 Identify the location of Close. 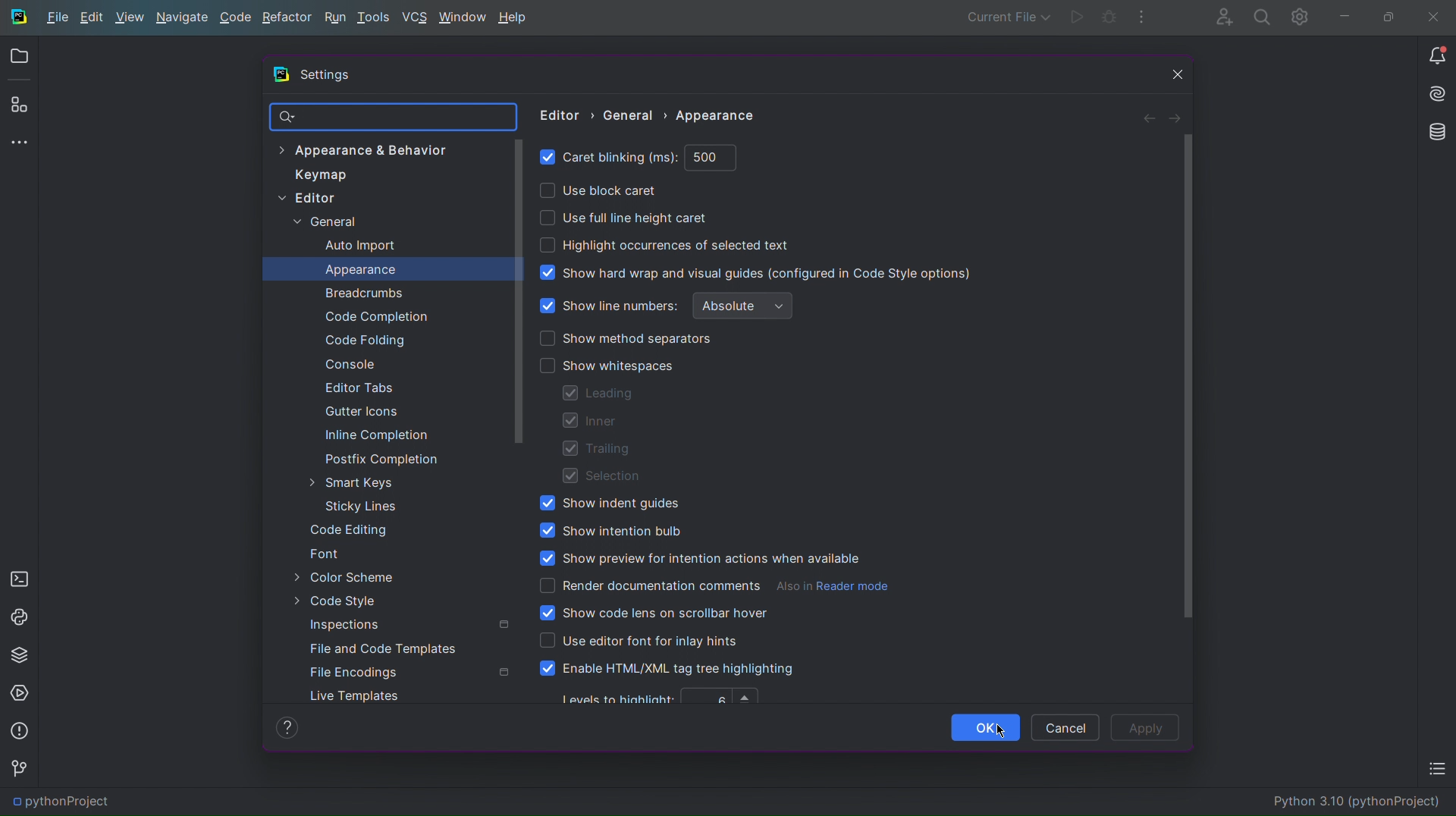
(1436, 15).